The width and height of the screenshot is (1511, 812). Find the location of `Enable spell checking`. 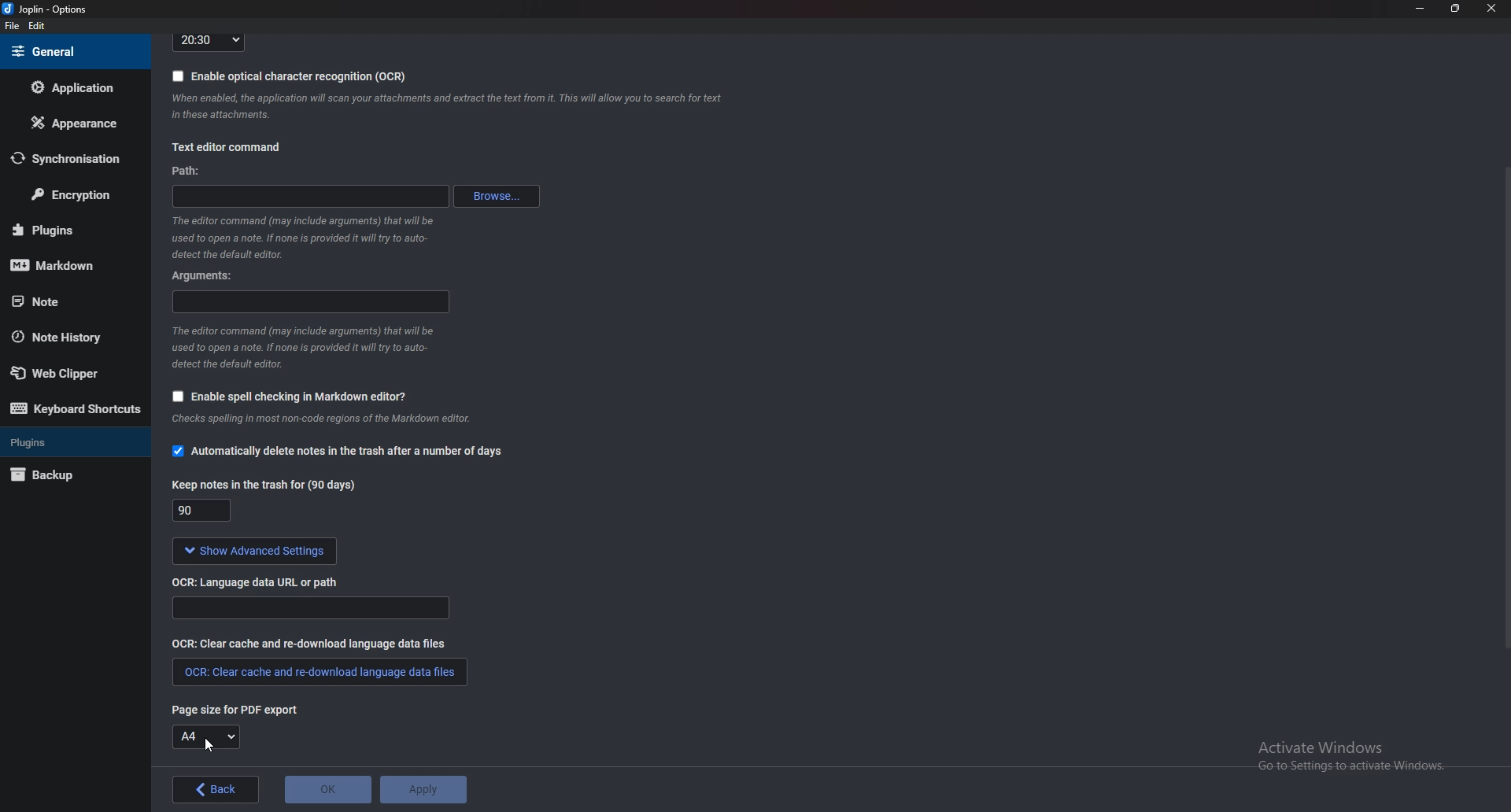

Enable spell checking is located at coordinates (285, 398).